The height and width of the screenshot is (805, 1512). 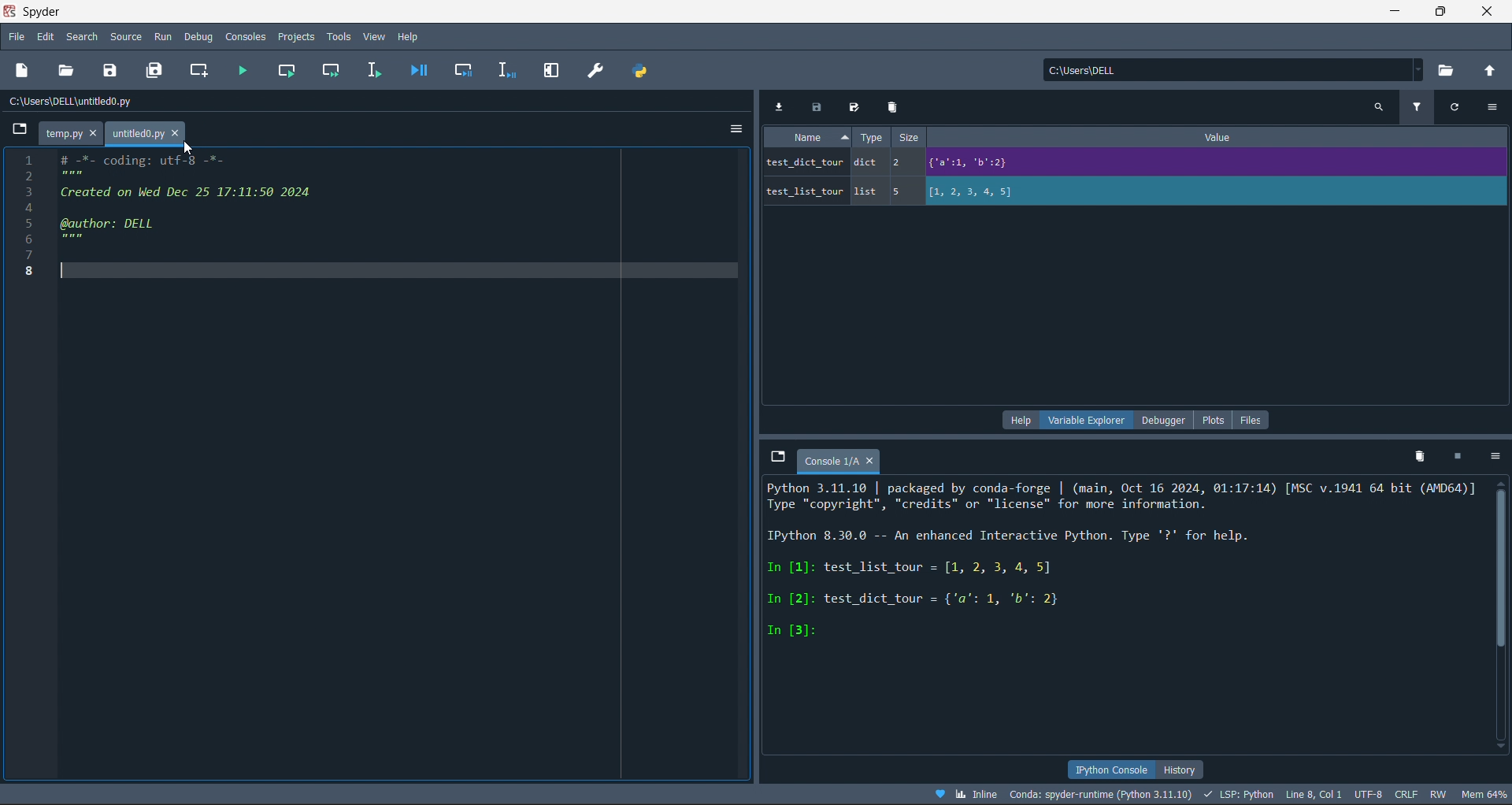 What do you see at coordinates (1443, 13) in the screenshot?
I see `maximize/restore` at bounding box center [1443, 13].